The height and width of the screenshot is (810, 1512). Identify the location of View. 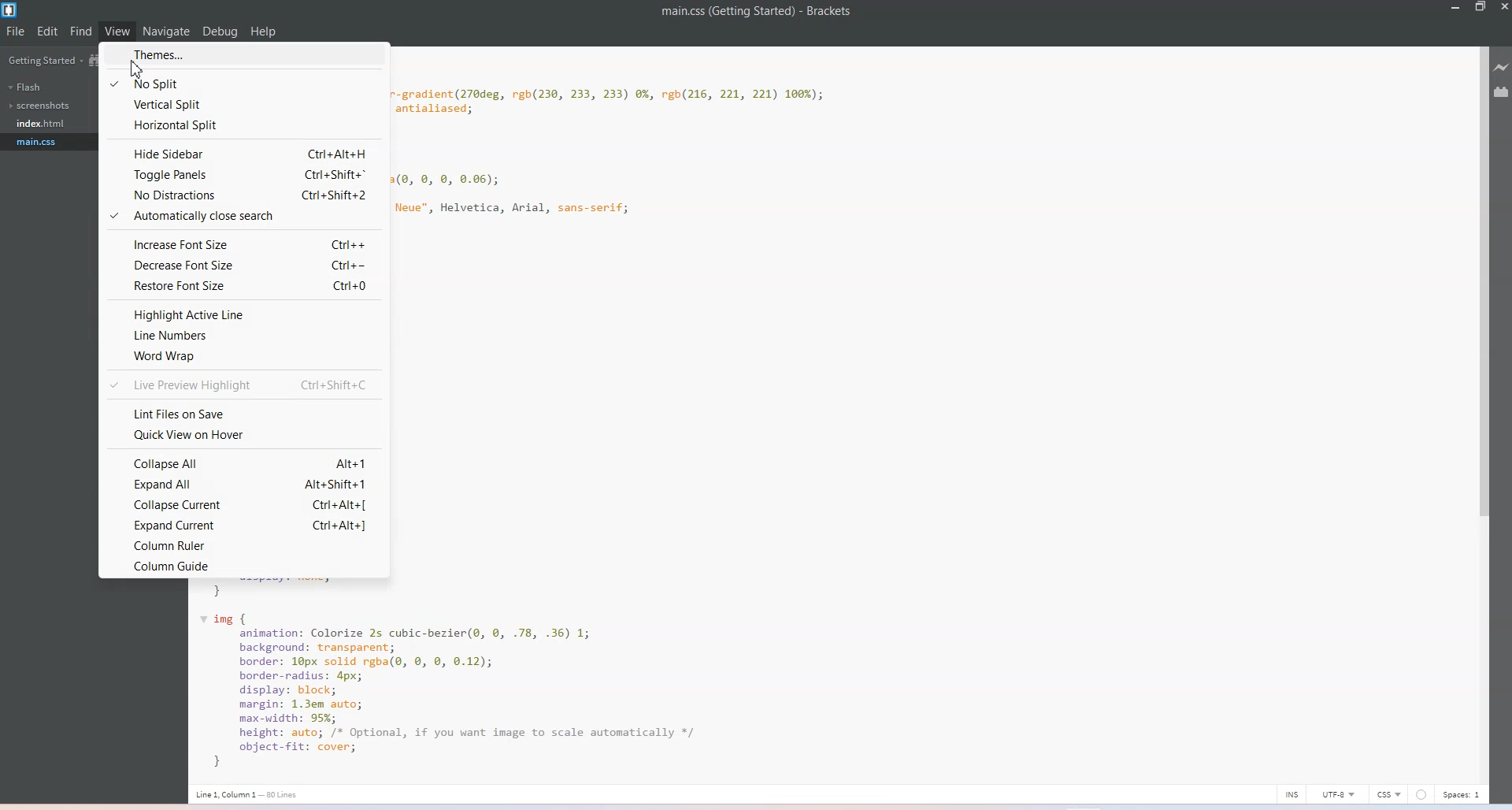
(117, 31).